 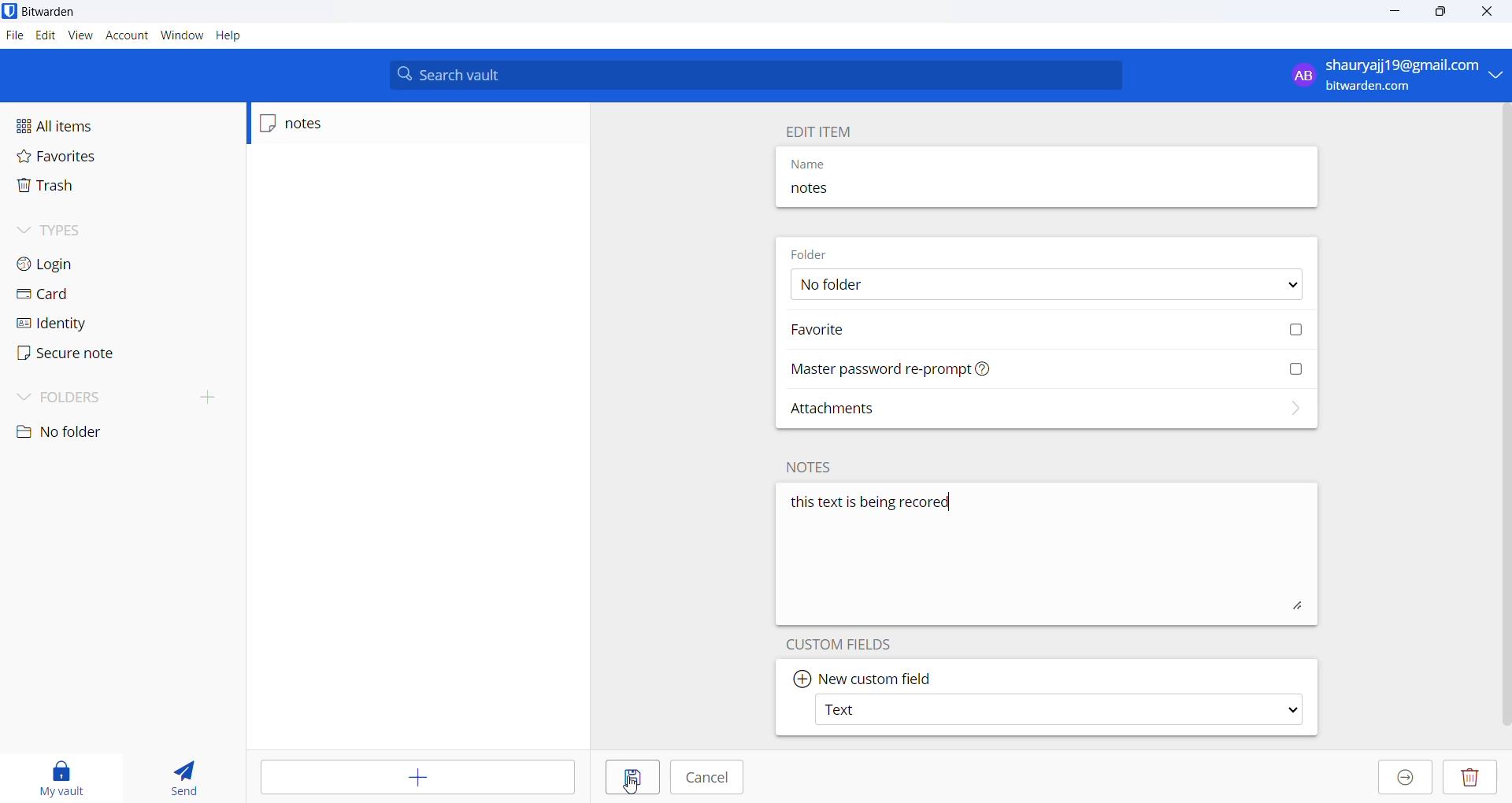 I want to click on notes, so click(x=328, y=124).